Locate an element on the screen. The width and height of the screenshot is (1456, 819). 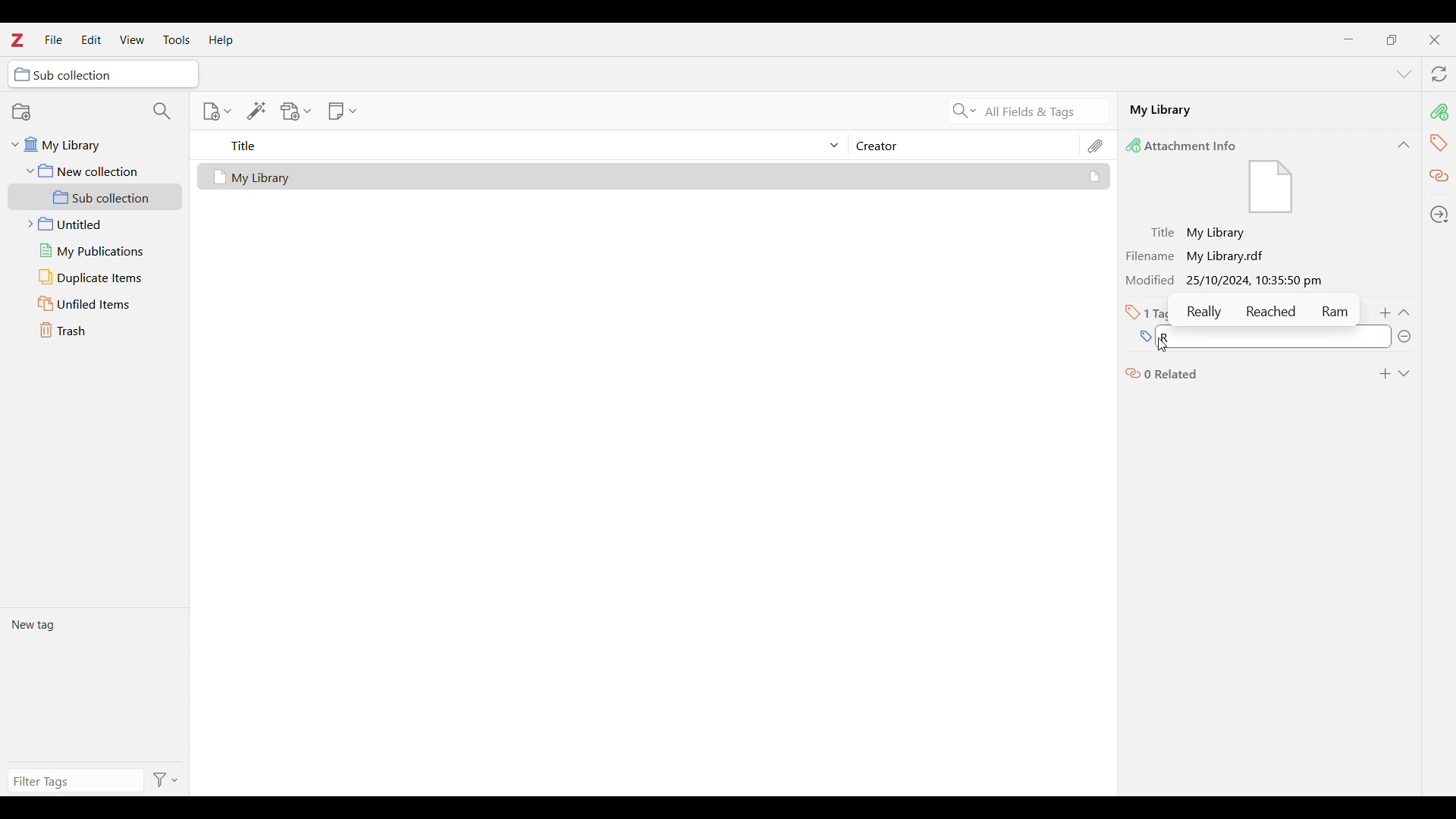
New collection is located at coordinates (21, 111).